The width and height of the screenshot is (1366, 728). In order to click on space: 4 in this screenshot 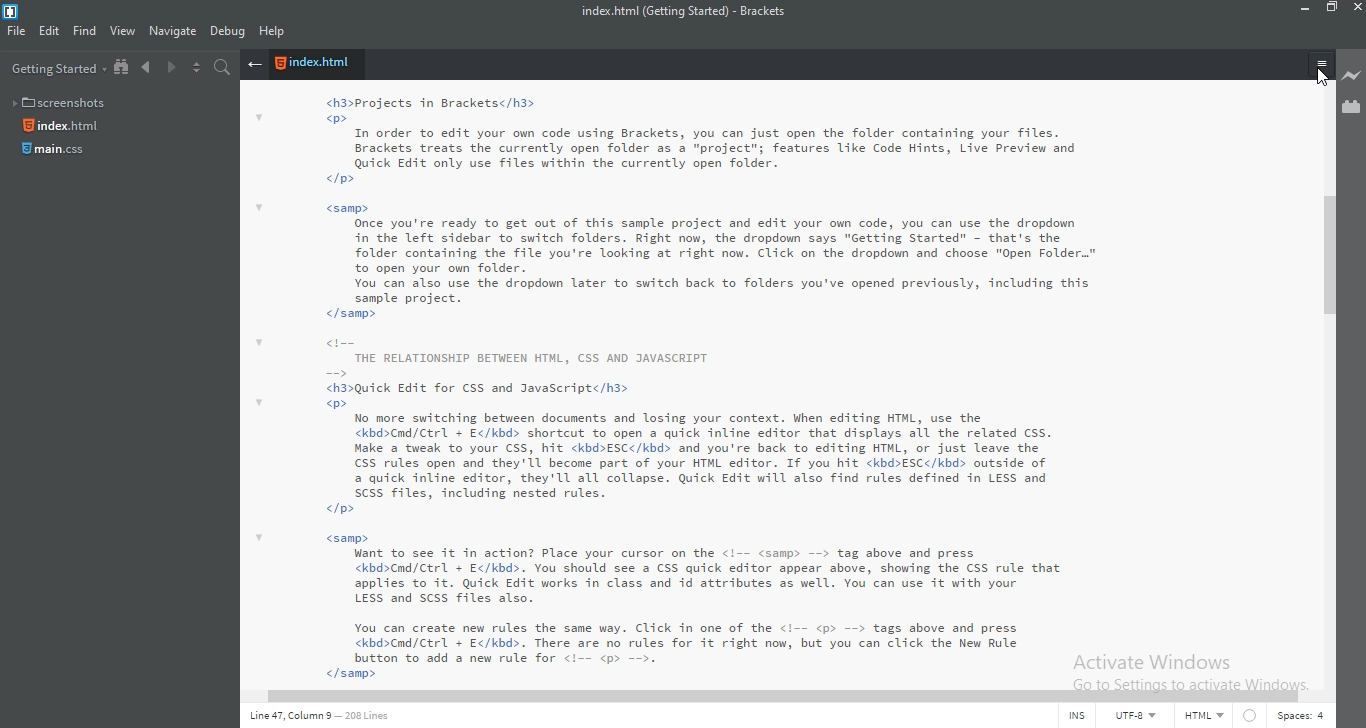, I will do `click(1298, 718)`.